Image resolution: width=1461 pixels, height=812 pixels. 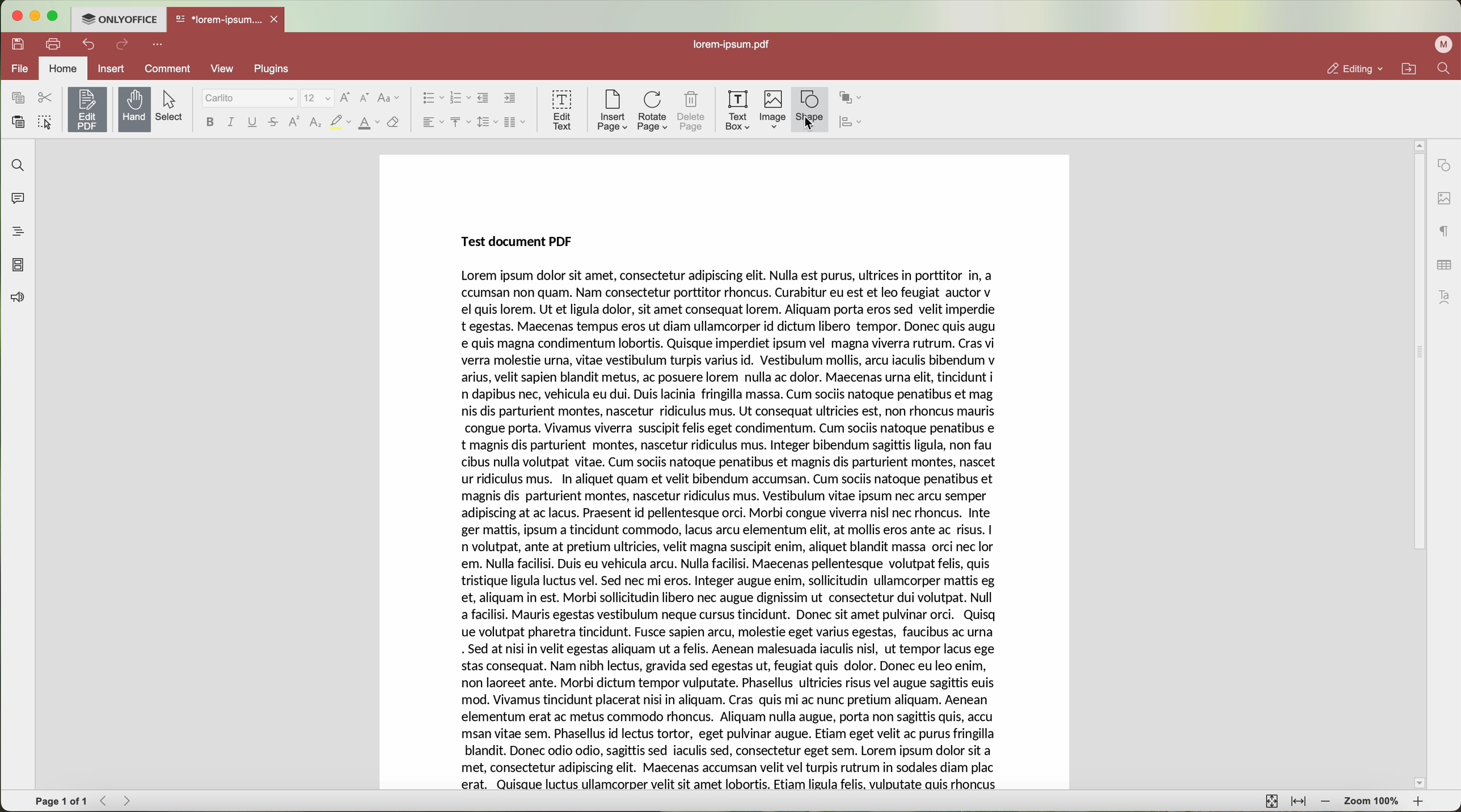 I want to click on find, so click(x=1443, y=70).